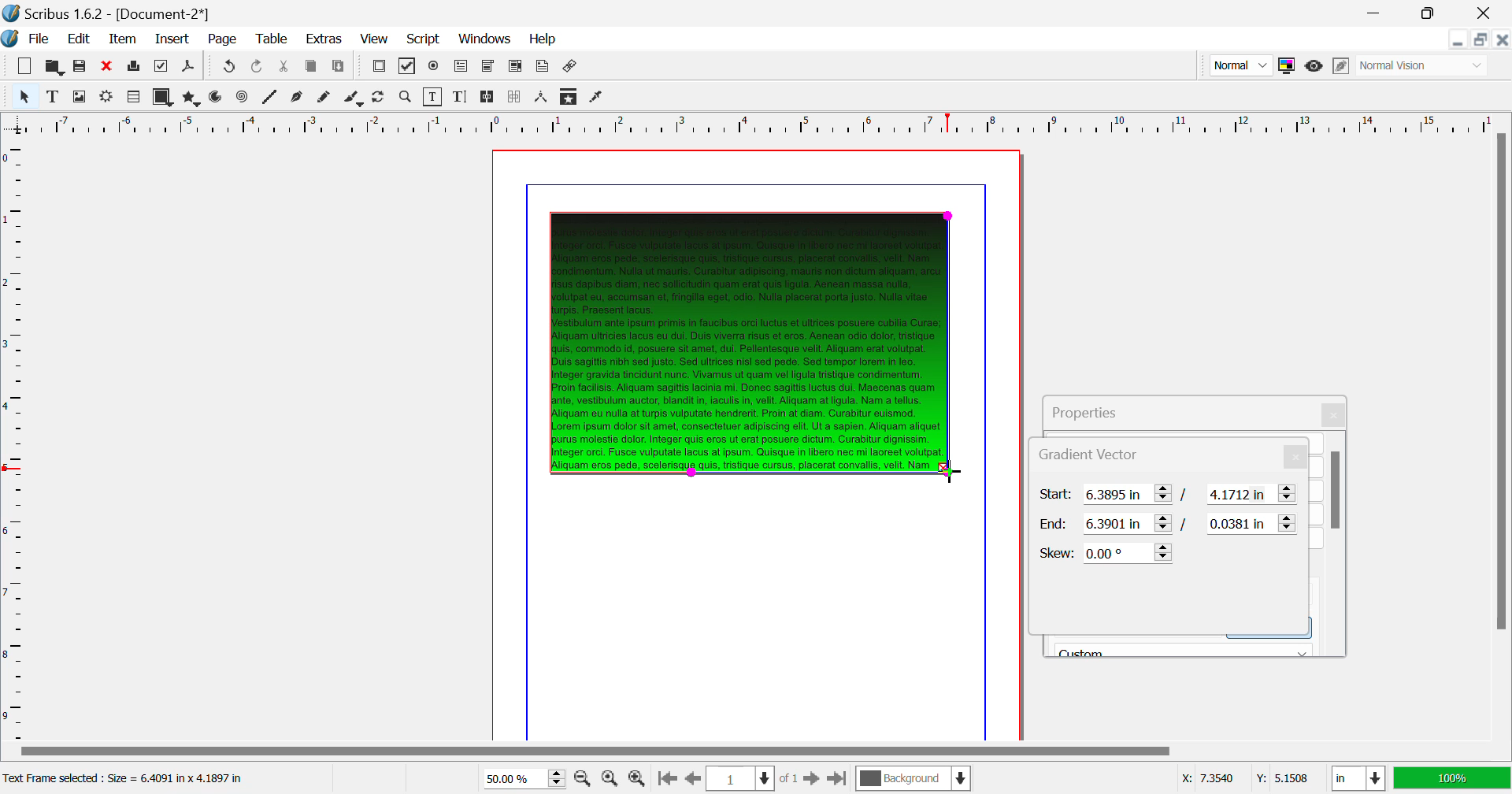 The height and width of the screenshot is (794, 1512). Describe the element at coordinates (1452, 778) in the screenshot. I see `Display Appearance` at that location.